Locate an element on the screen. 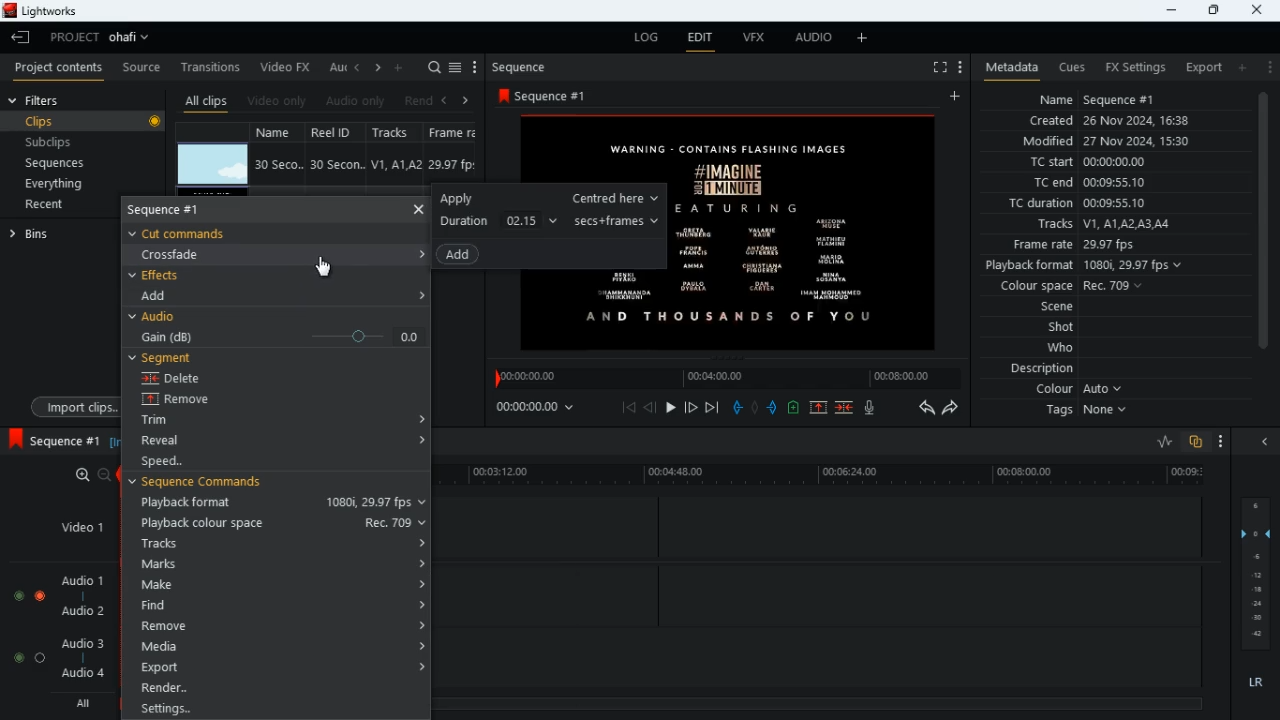 This screenshot has width=1280, height=720. zoom is located at coordinates (85, 475).